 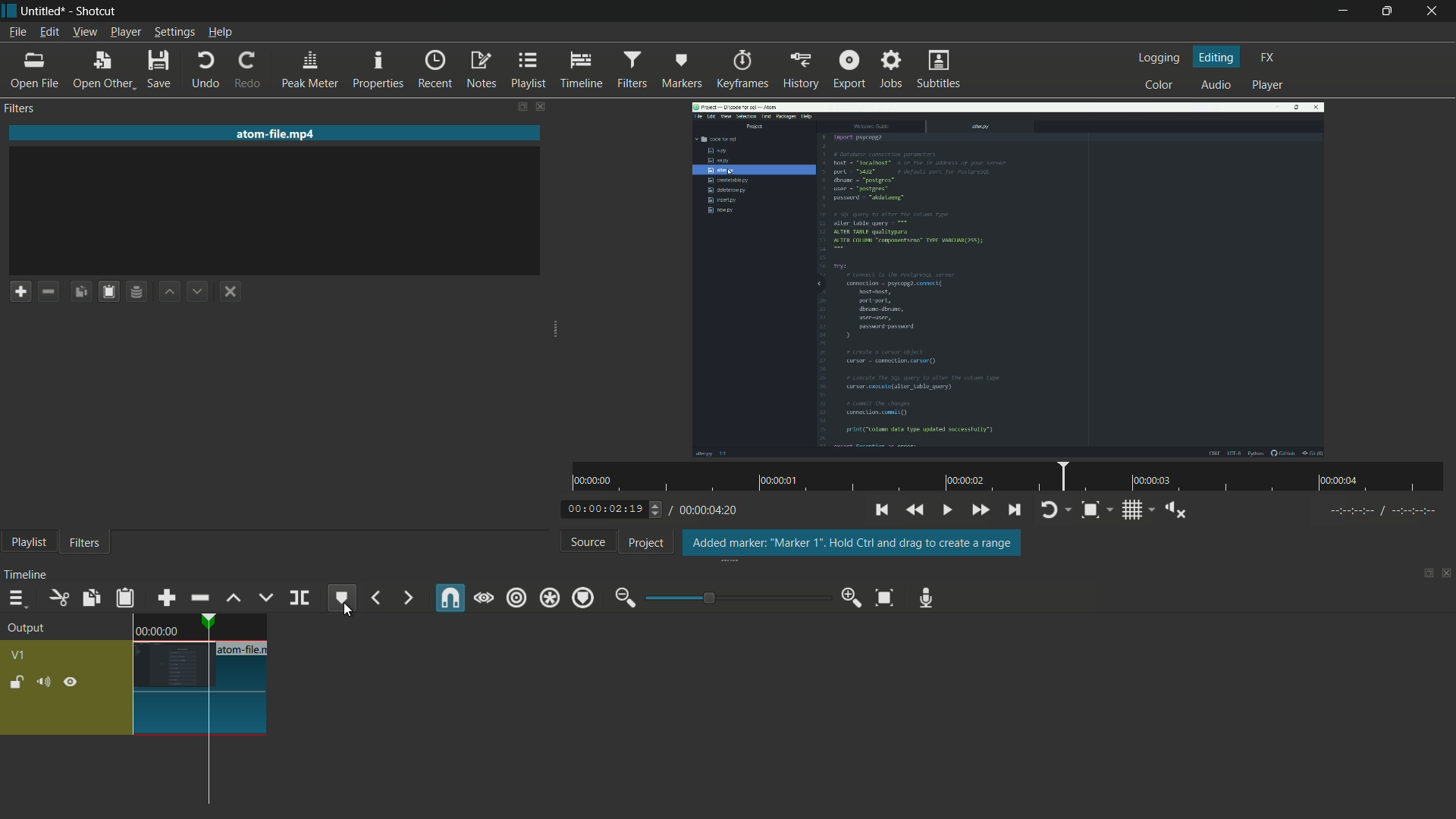 I want to click on cut, so click(x=57, y=598).